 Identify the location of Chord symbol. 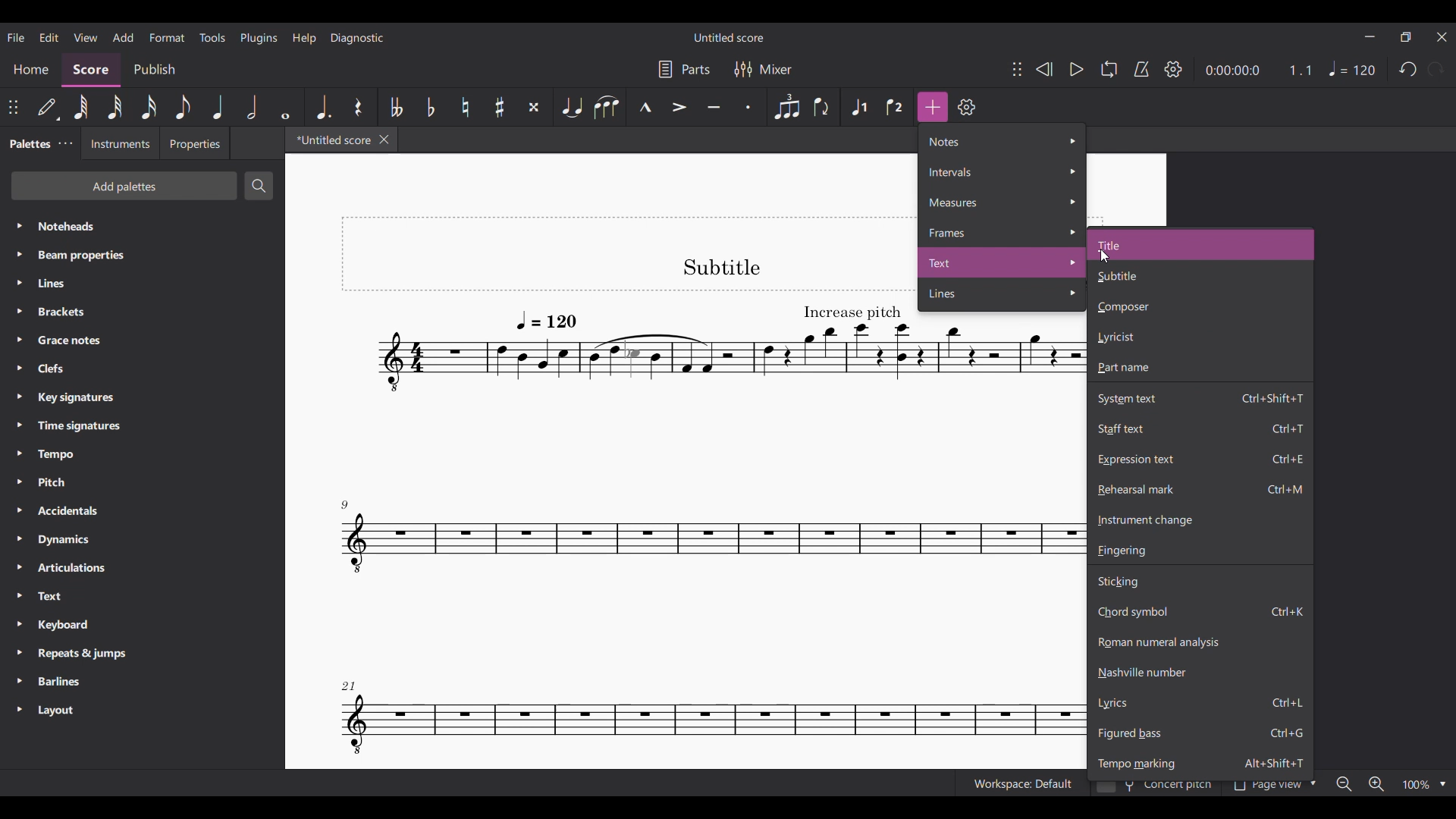
(1200, 611).